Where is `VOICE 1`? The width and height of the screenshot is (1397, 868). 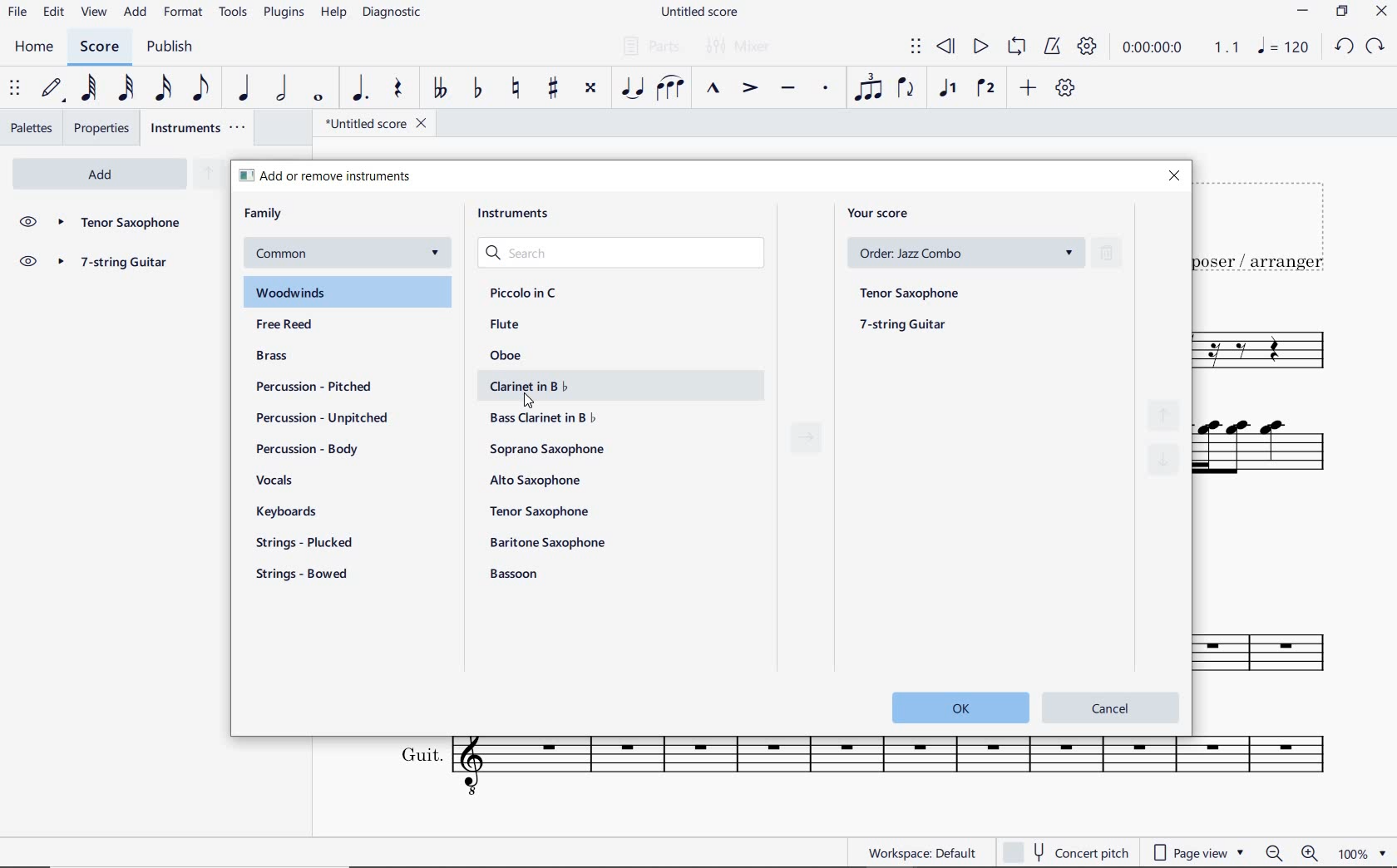 VOICE 1 is located at coordinates (947, 90).